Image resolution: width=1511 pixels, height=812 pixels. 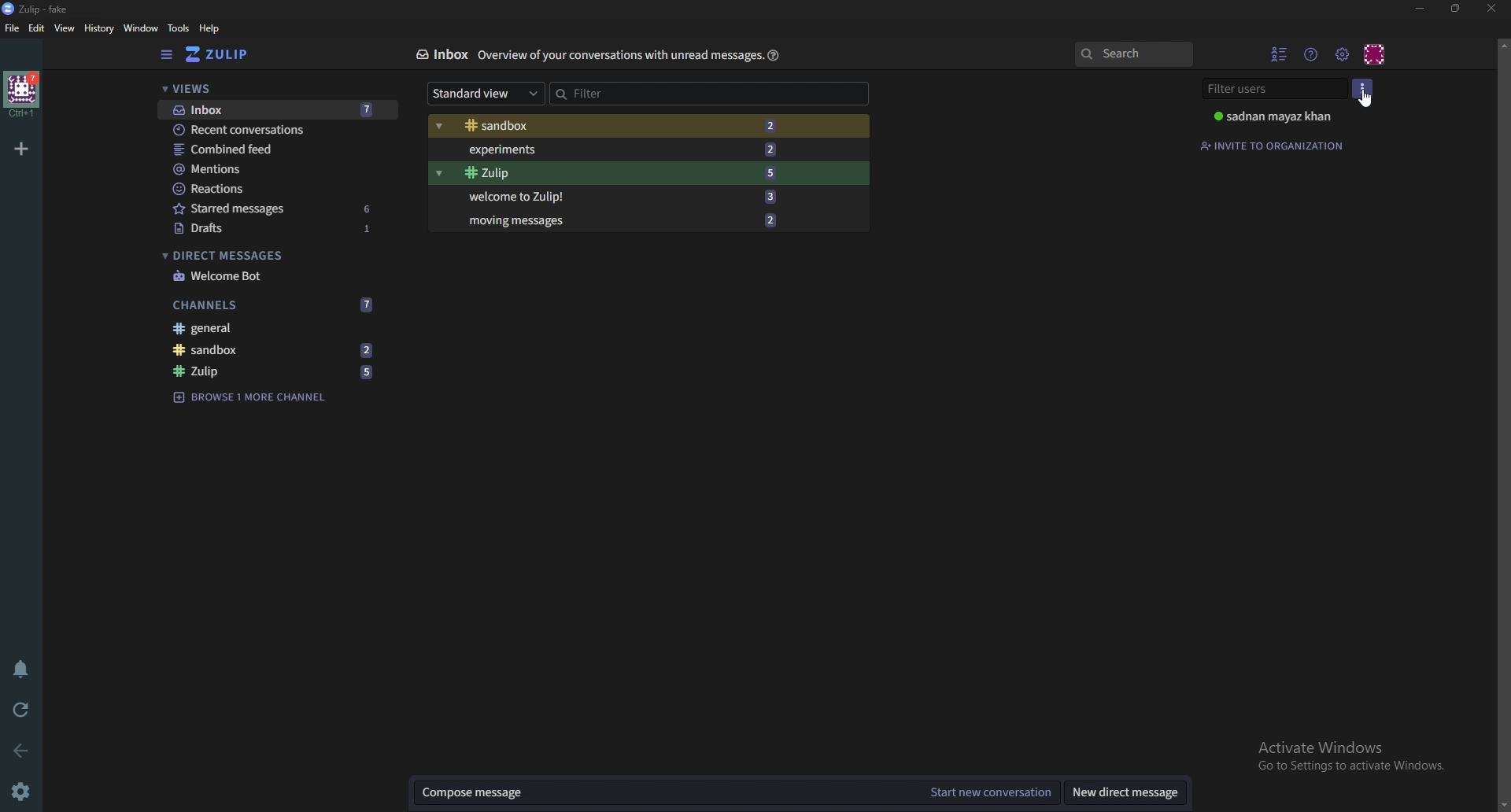 I want to click on Info, so click(x=619, y=56).